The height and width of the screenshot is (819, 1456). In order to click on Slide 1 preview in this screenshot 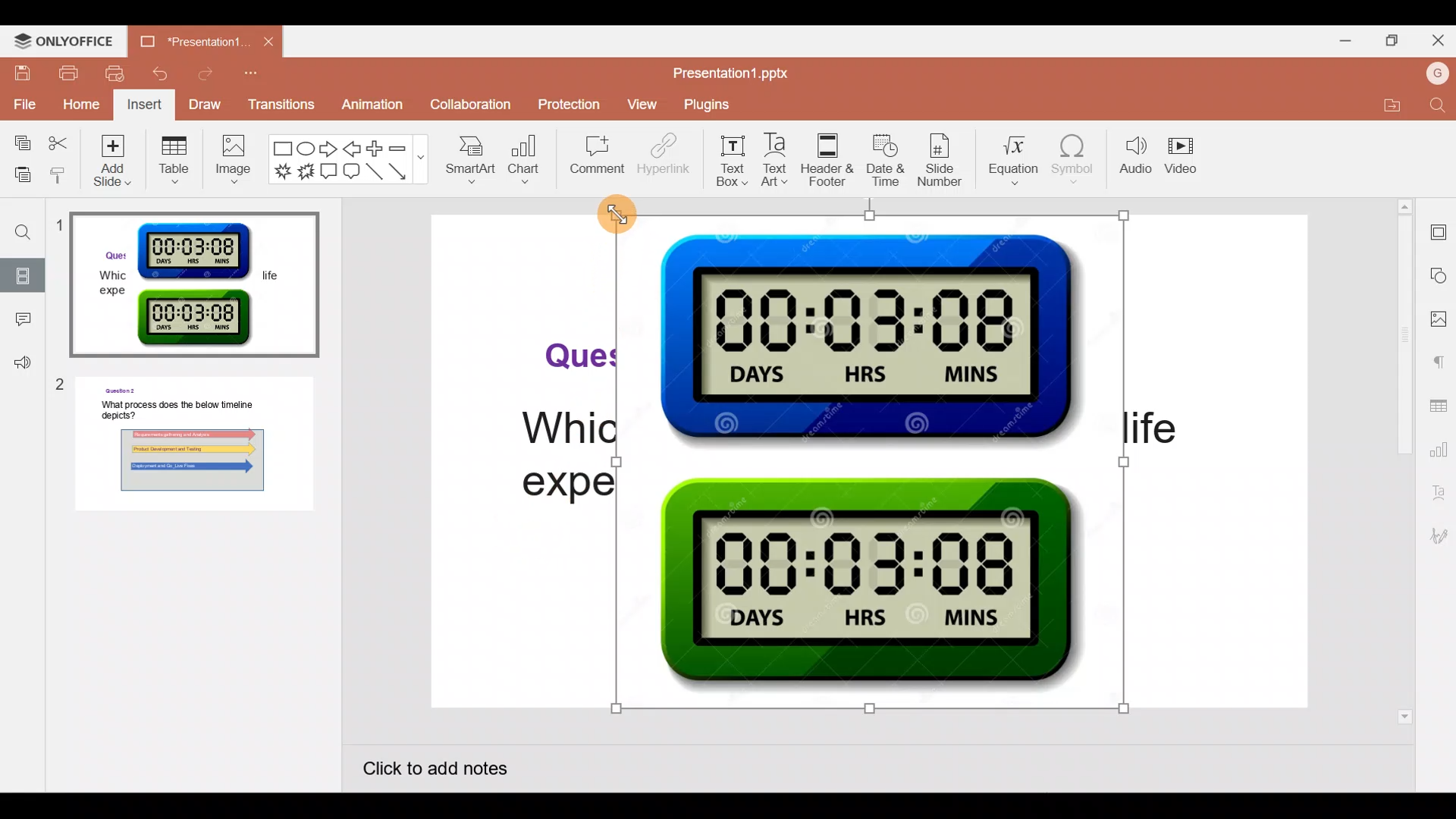, I will do `click(191, 284)`.